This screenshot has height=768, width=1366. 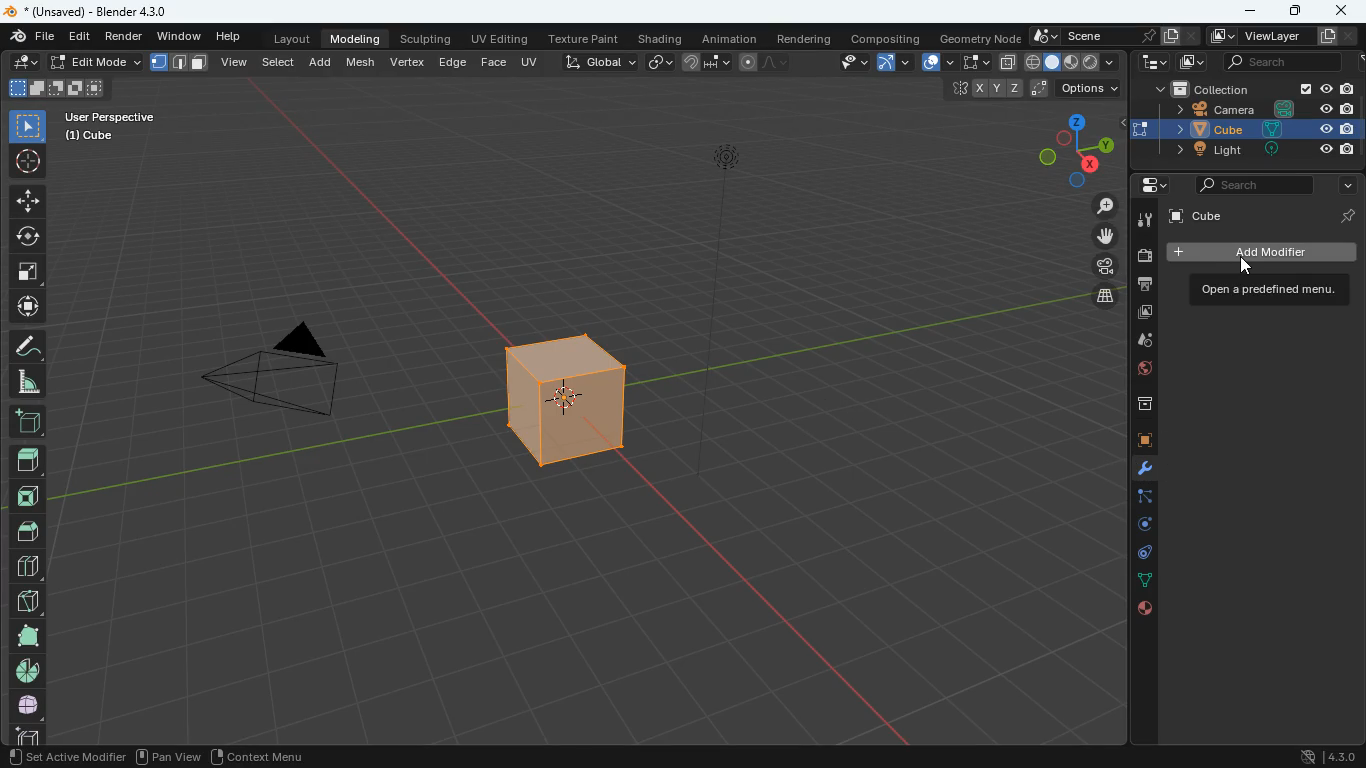 I want to click on add, so click(x=26, y=423).